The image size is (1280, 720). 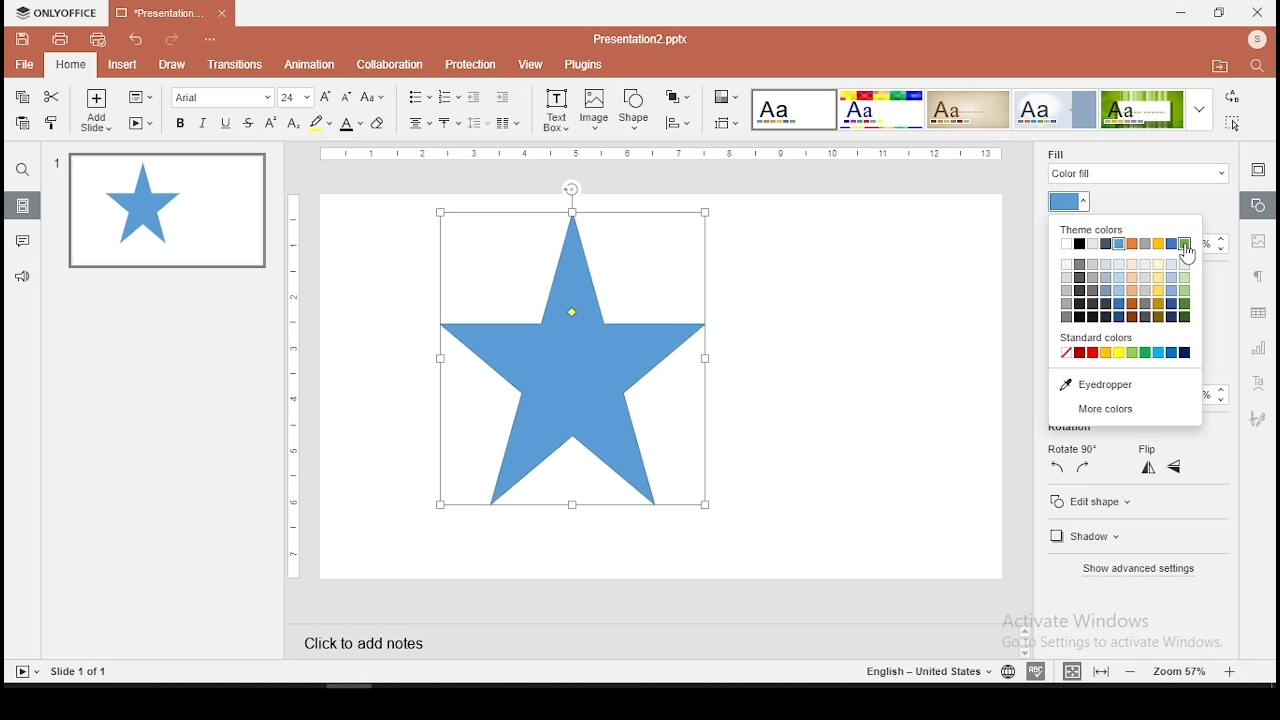 I want to click on transitions, so click(x=235, y=67).